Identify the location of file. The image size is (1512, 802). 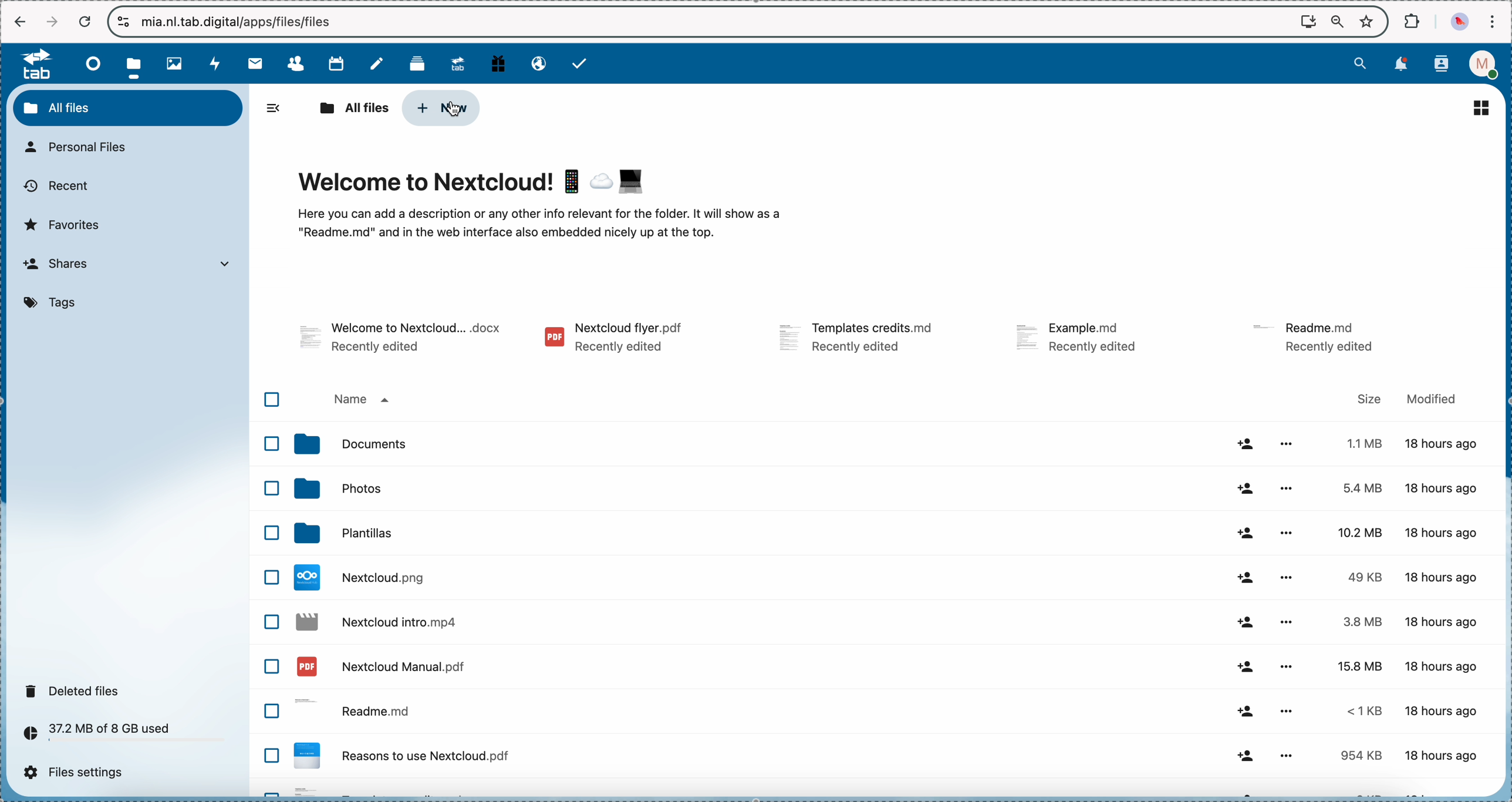
(751, 577).